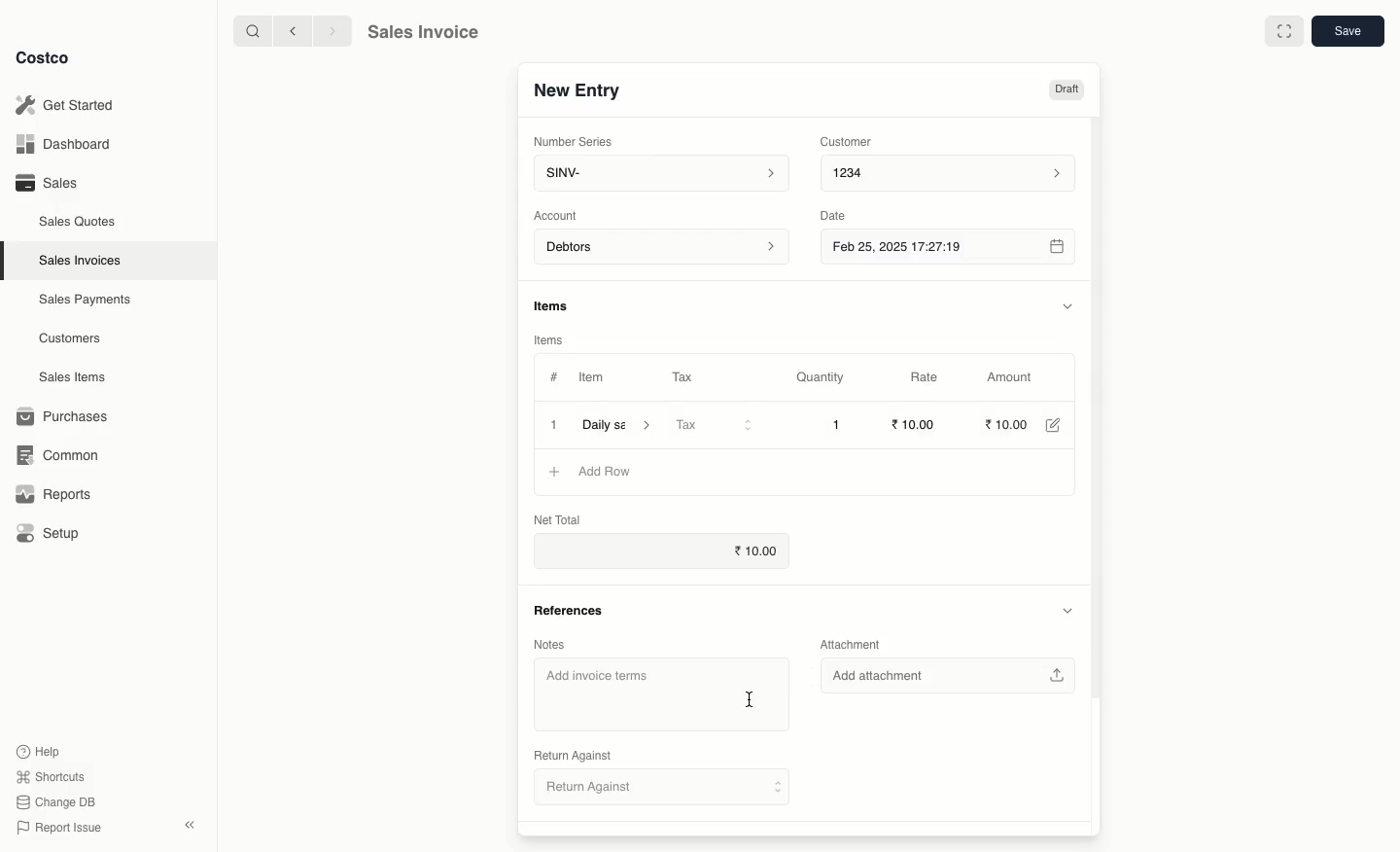 The width and height of the screenshot is (1400, 852). Describe the element at coordinates (1040, 89) in the screenshot. I see `Unpaid 10.00` at that location.